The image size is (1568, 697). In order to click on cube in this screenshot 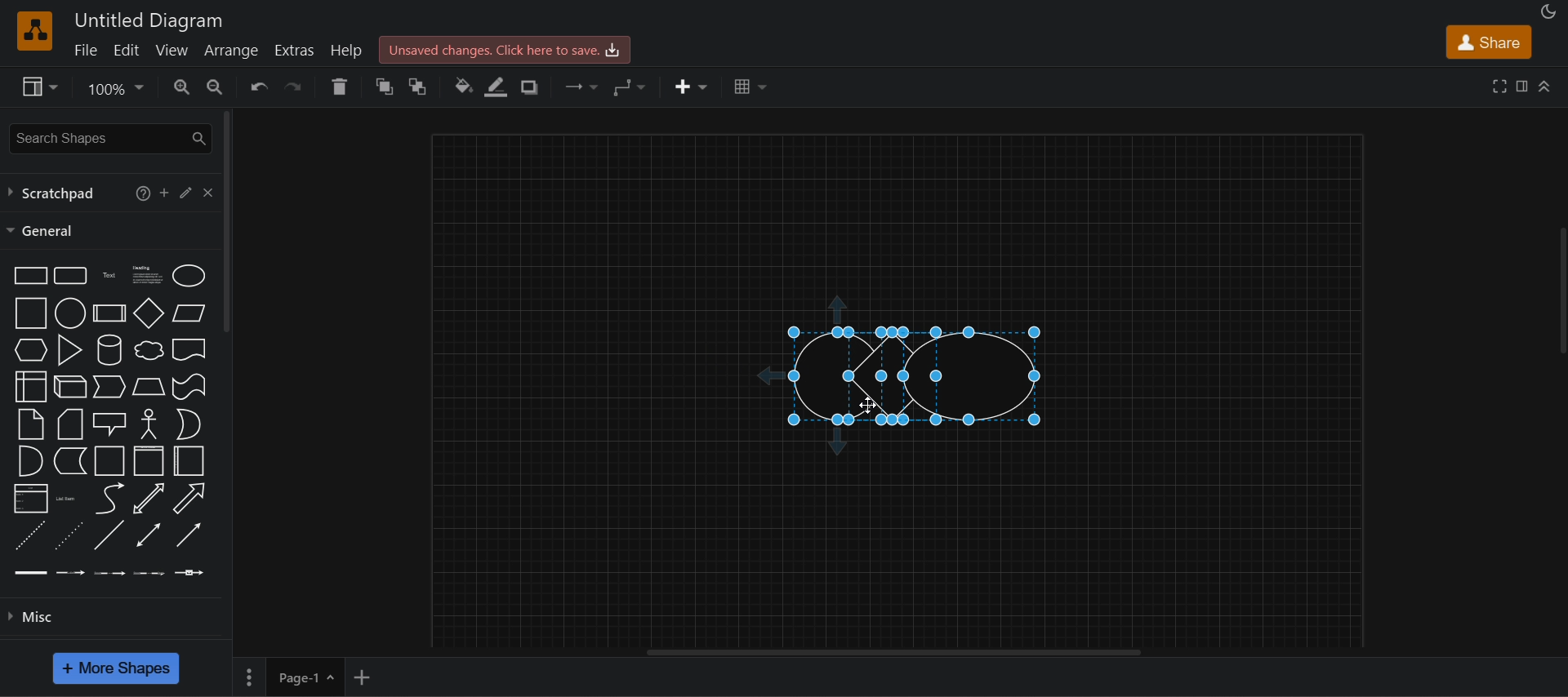, I will do `click(70, 385)`.